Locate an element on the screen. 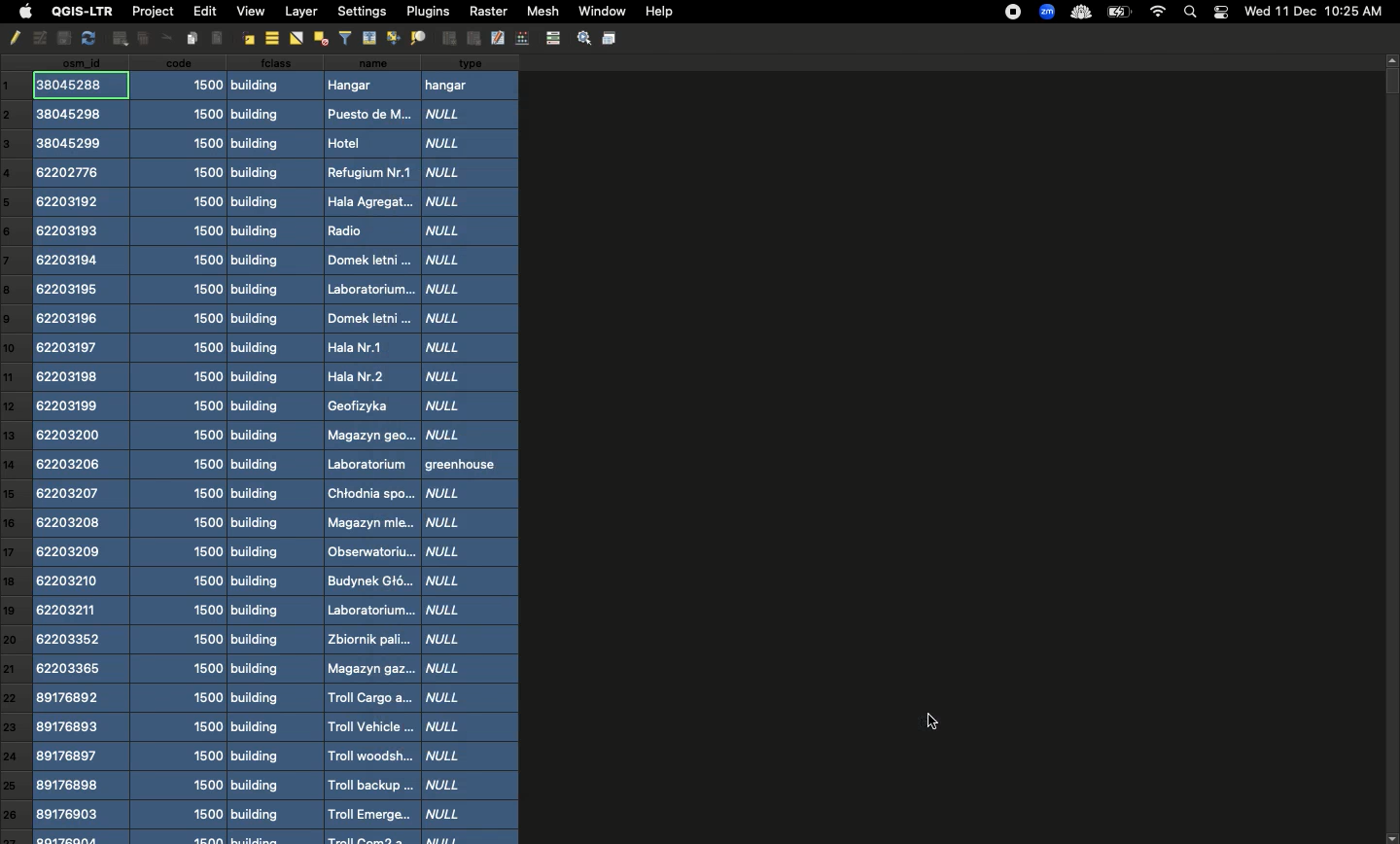 Image resolution: width=1400 pixels, height=844 pixels. Settings is located at coordinates (581, 37).